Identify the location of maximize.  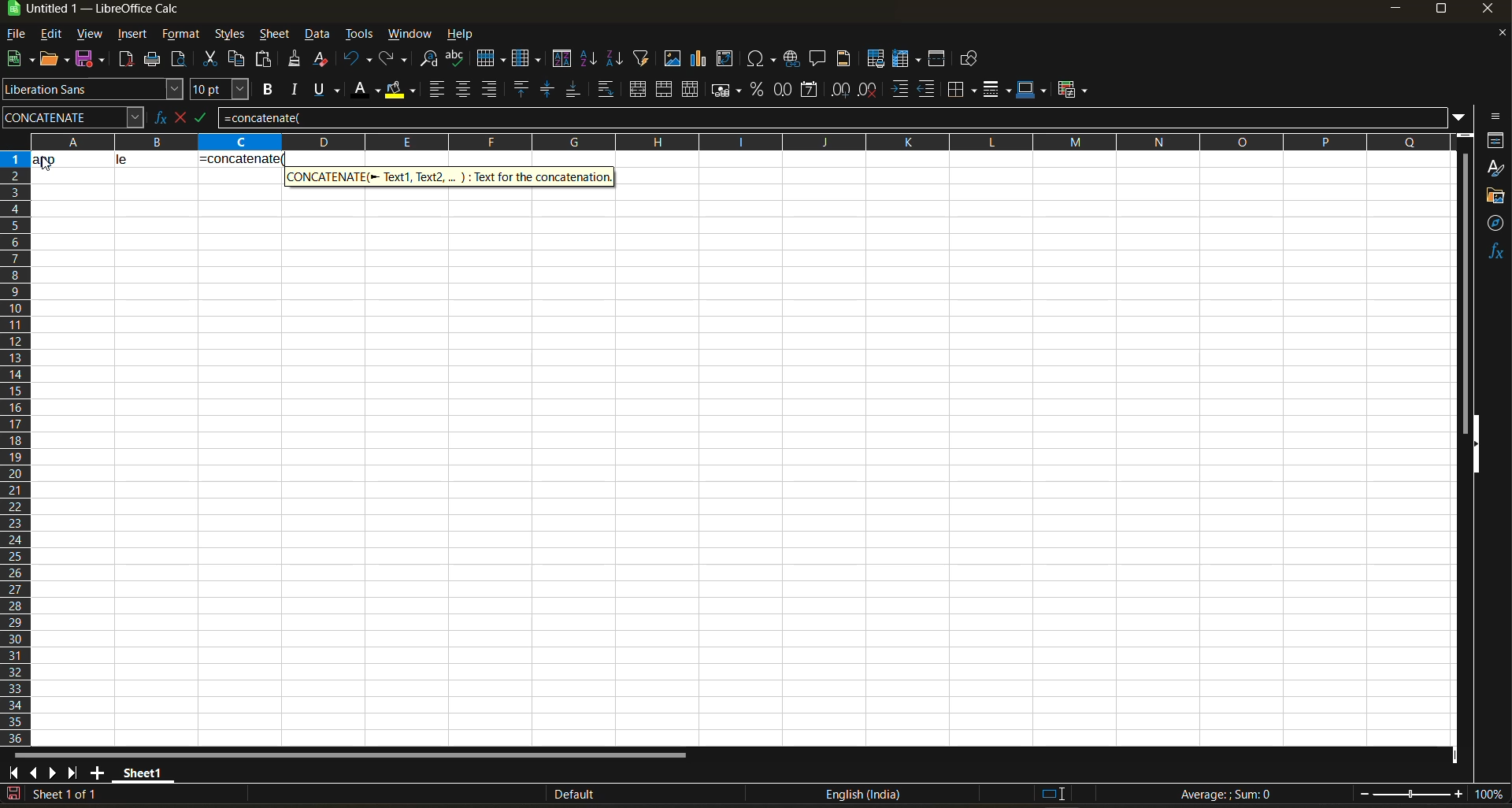
(1440, 12).